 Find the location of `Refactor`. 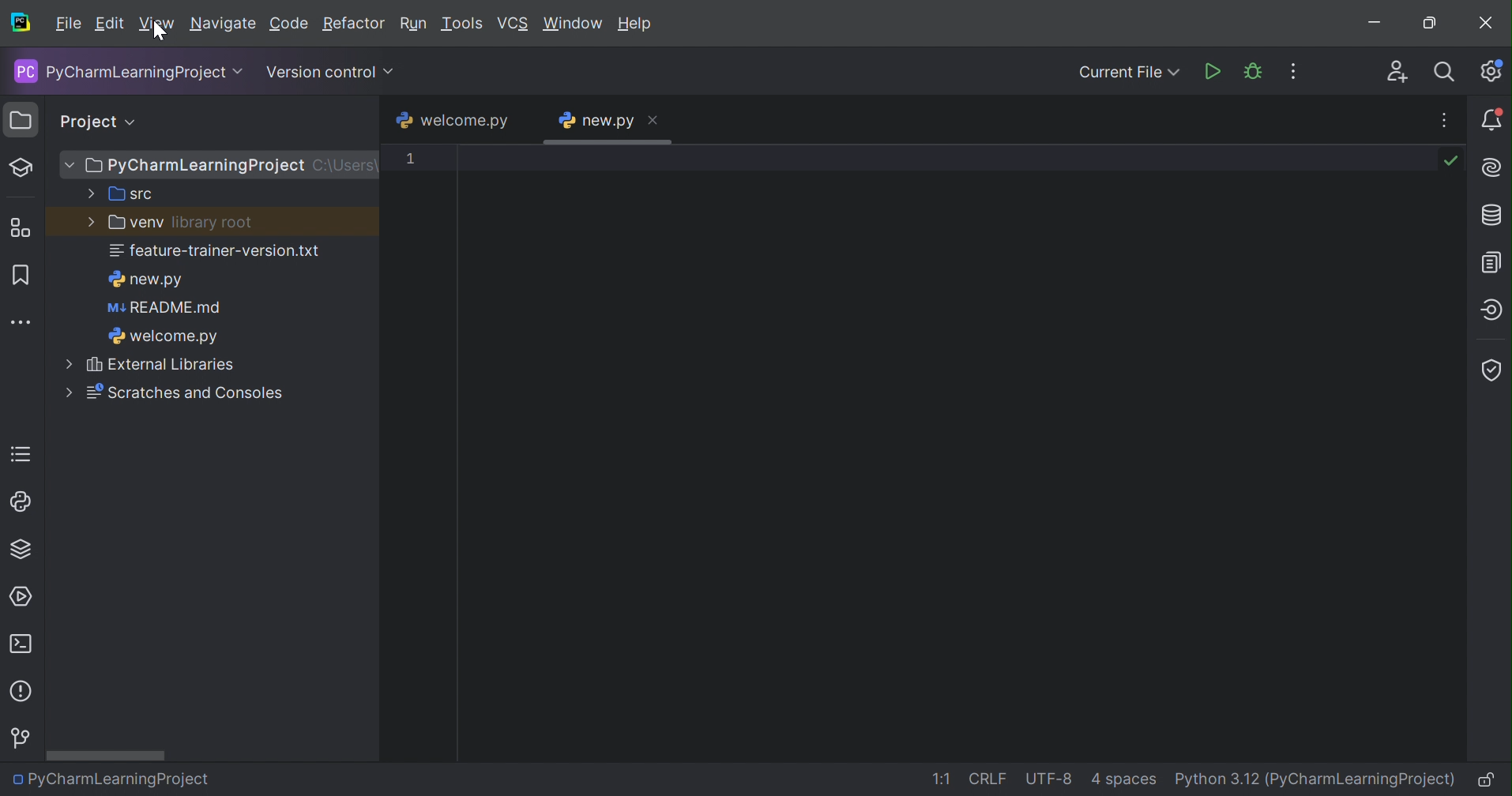

Refactor is located at coordinates (354, 24).